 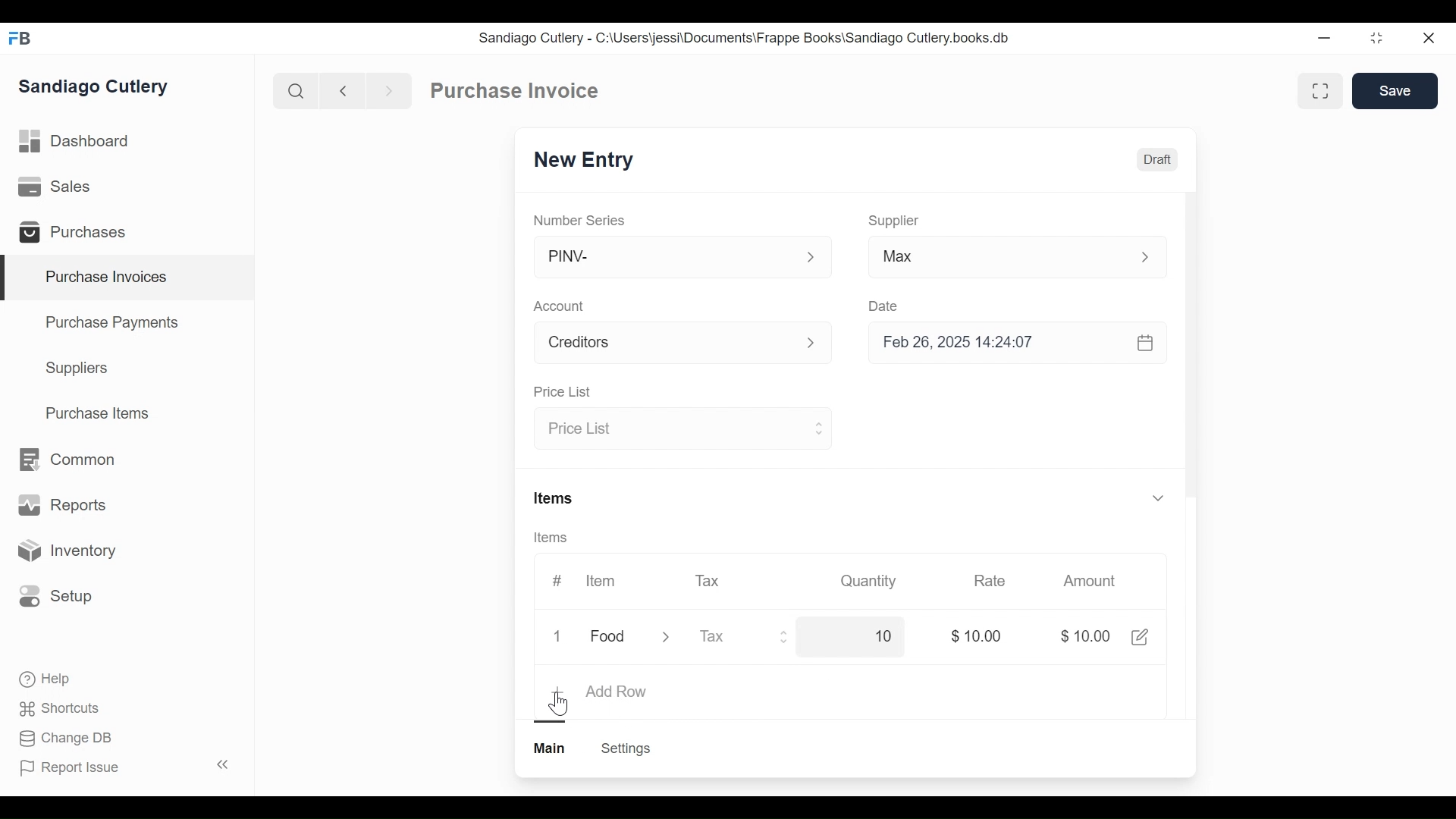 What do you see at coordinates (664, 345) in the screenshot?
I see `Account` at bounding box center [664, 345].